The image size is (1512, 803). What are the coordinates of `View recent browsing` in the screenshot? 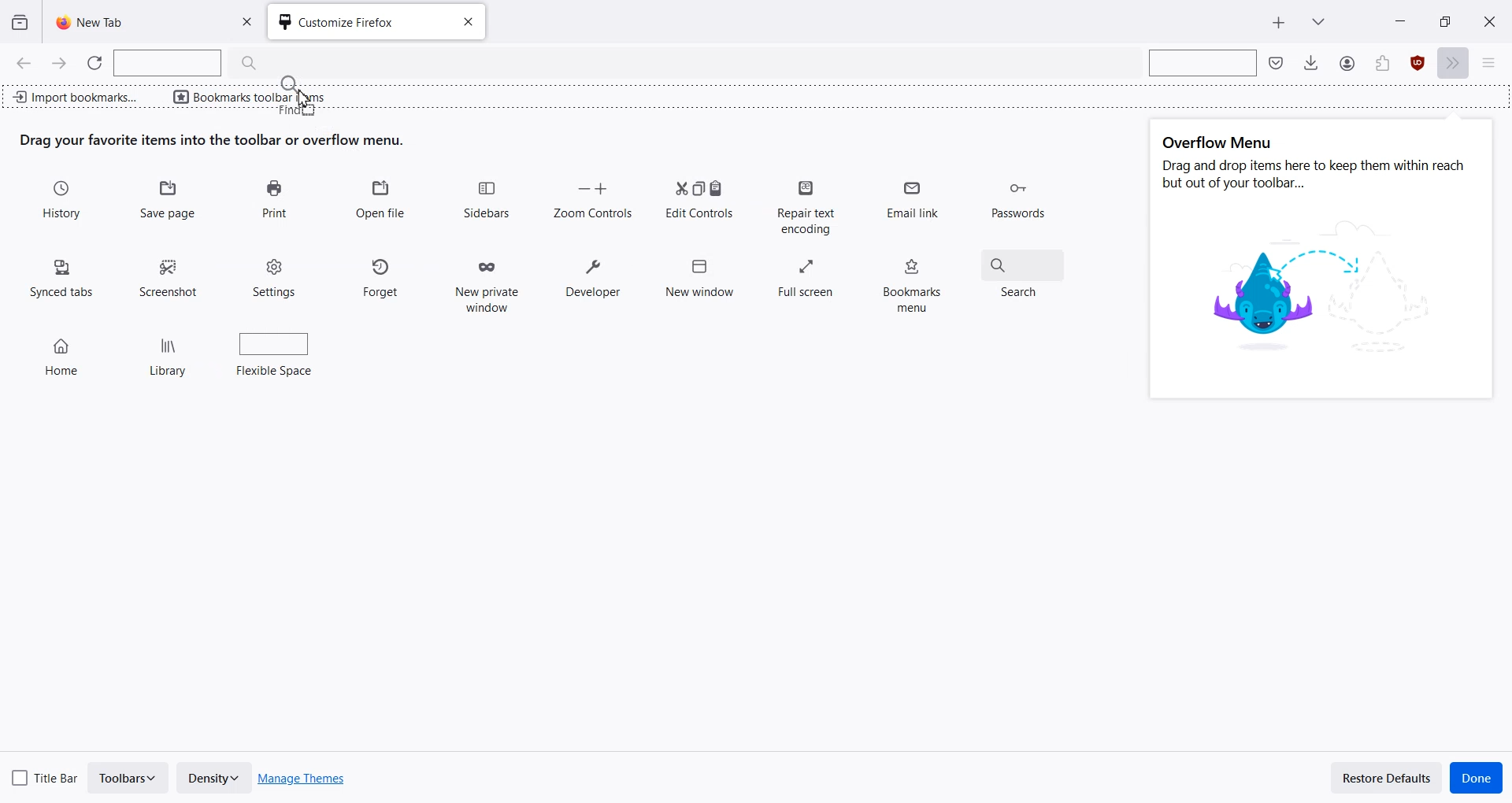 It's located at (20, 23).